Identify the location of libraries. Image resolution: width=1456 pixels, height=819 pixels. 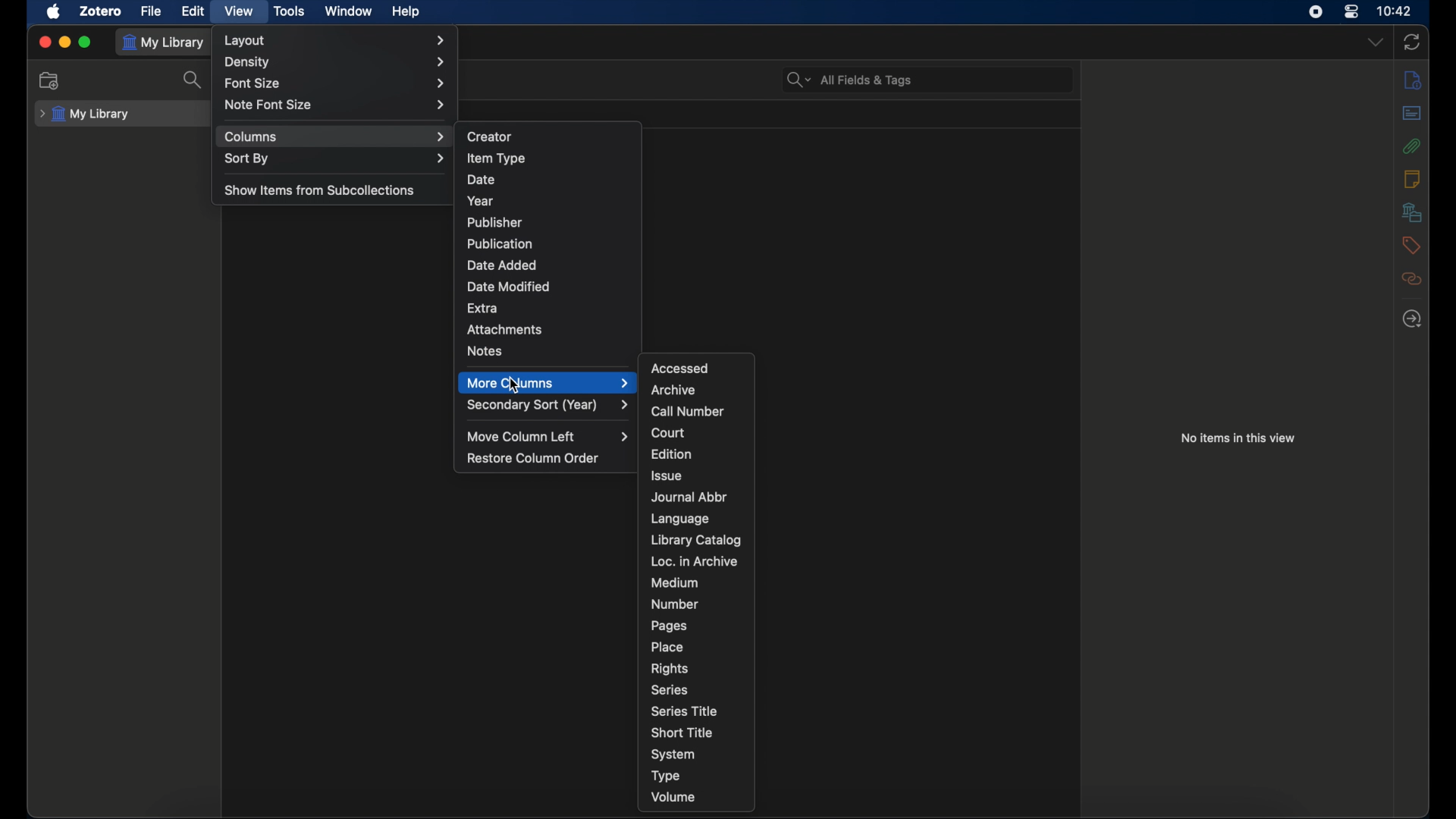
(1412, 212).